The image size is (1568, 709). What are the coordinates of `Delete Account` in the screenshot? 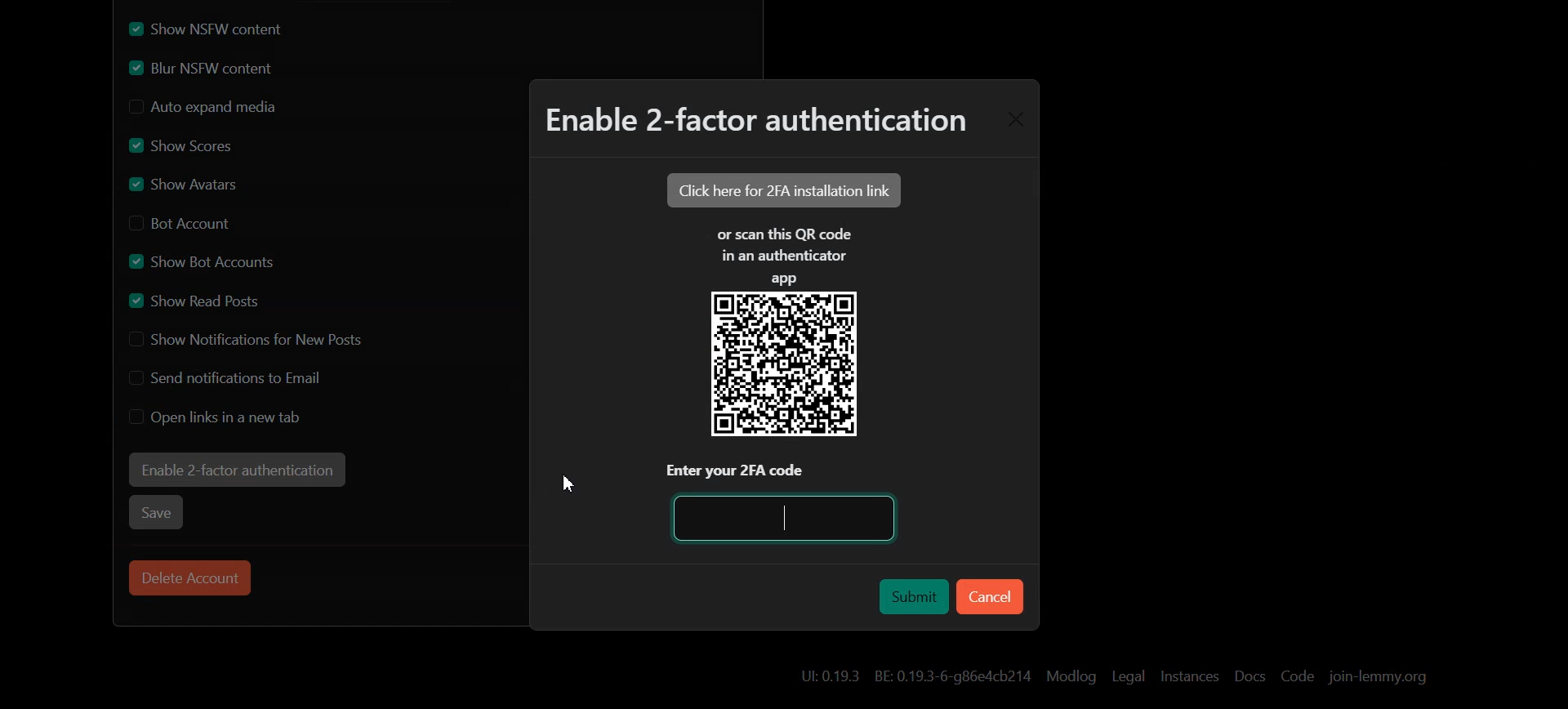 It's located at (190, 577).